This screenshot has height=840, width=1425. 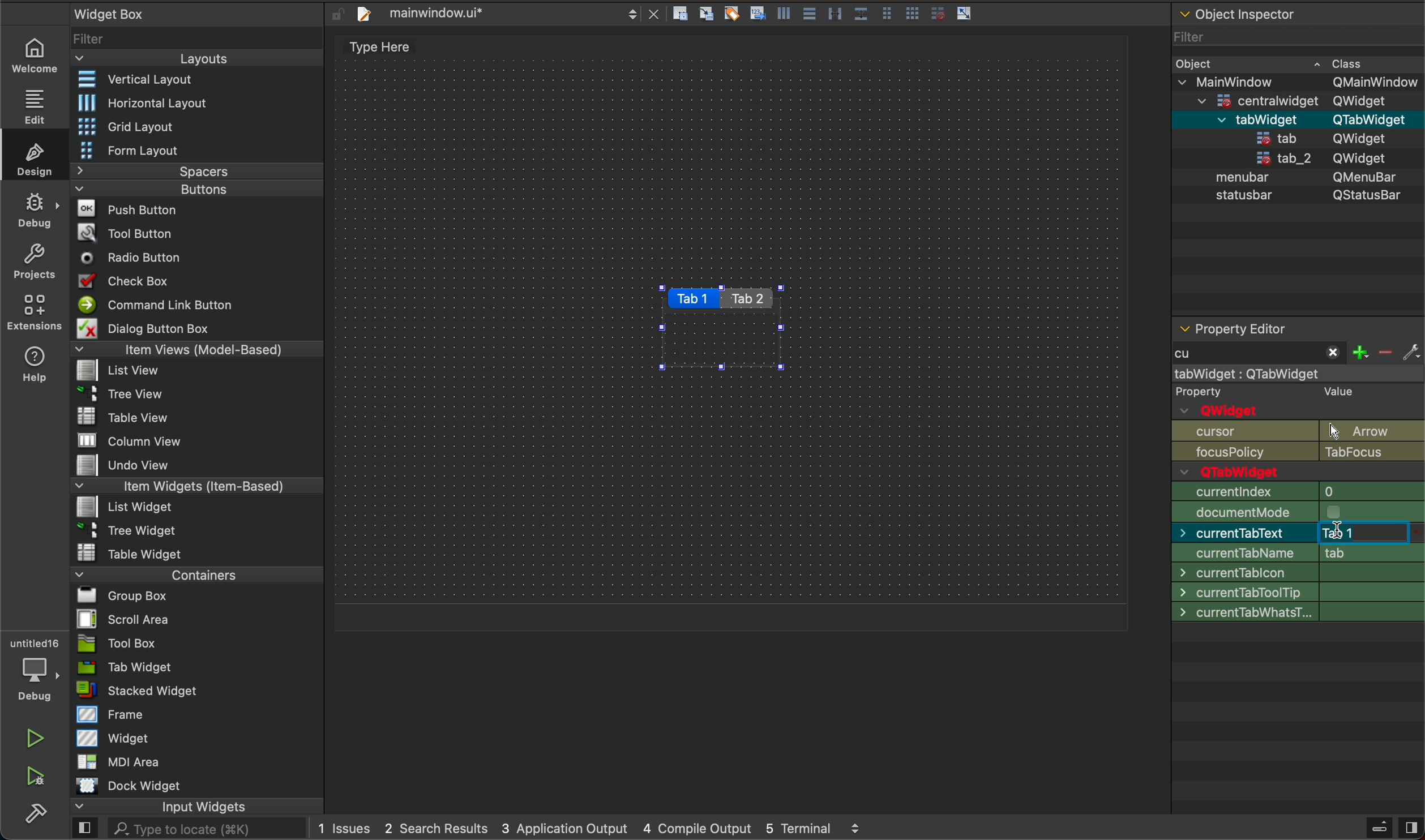 What do you see at coordinates (198, 58) in the screenshot?
I see `Layouts` at bounding box center [198, 58].